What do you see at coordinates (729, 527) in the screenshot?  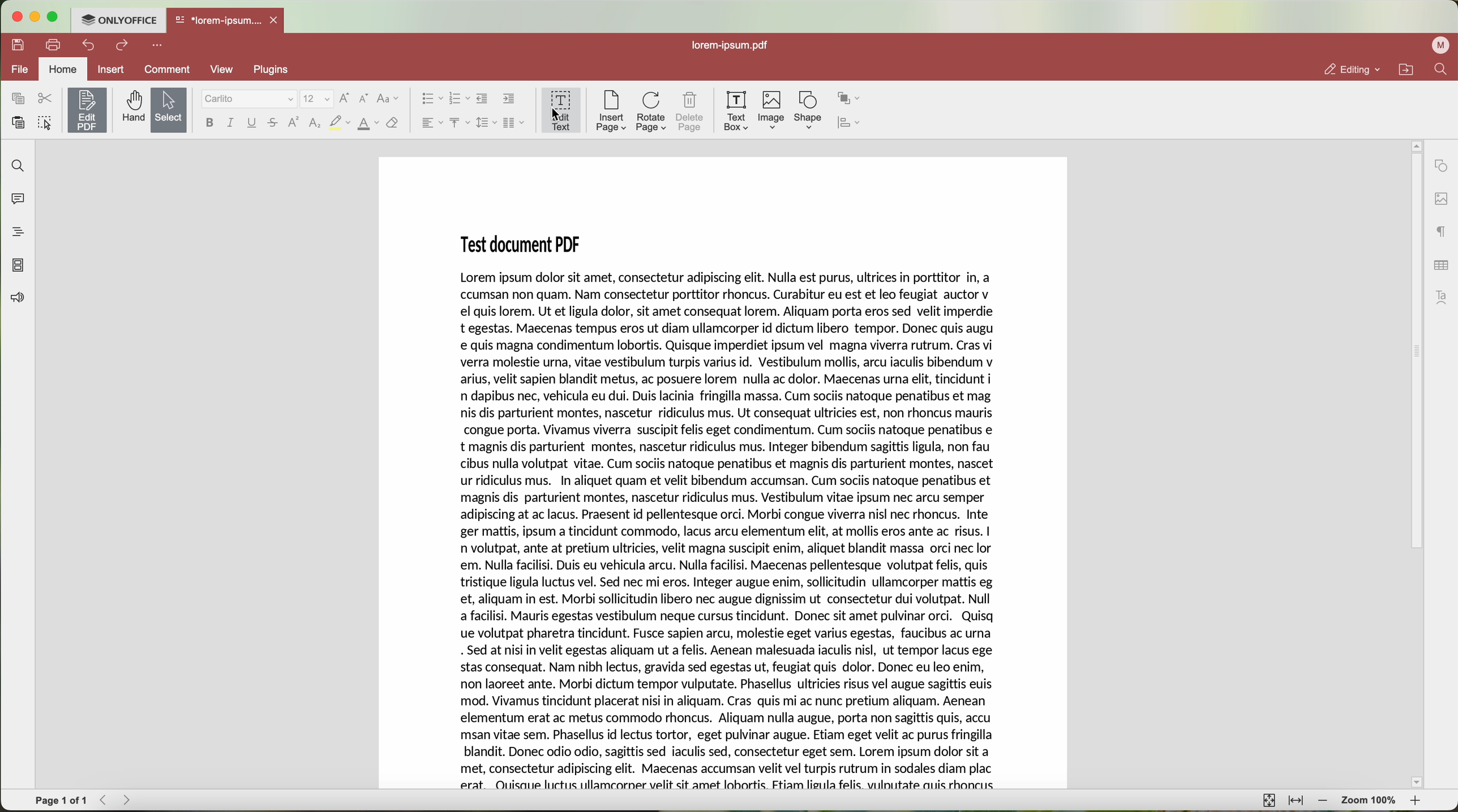 I see `selected text` at bounding box center [729, 527].